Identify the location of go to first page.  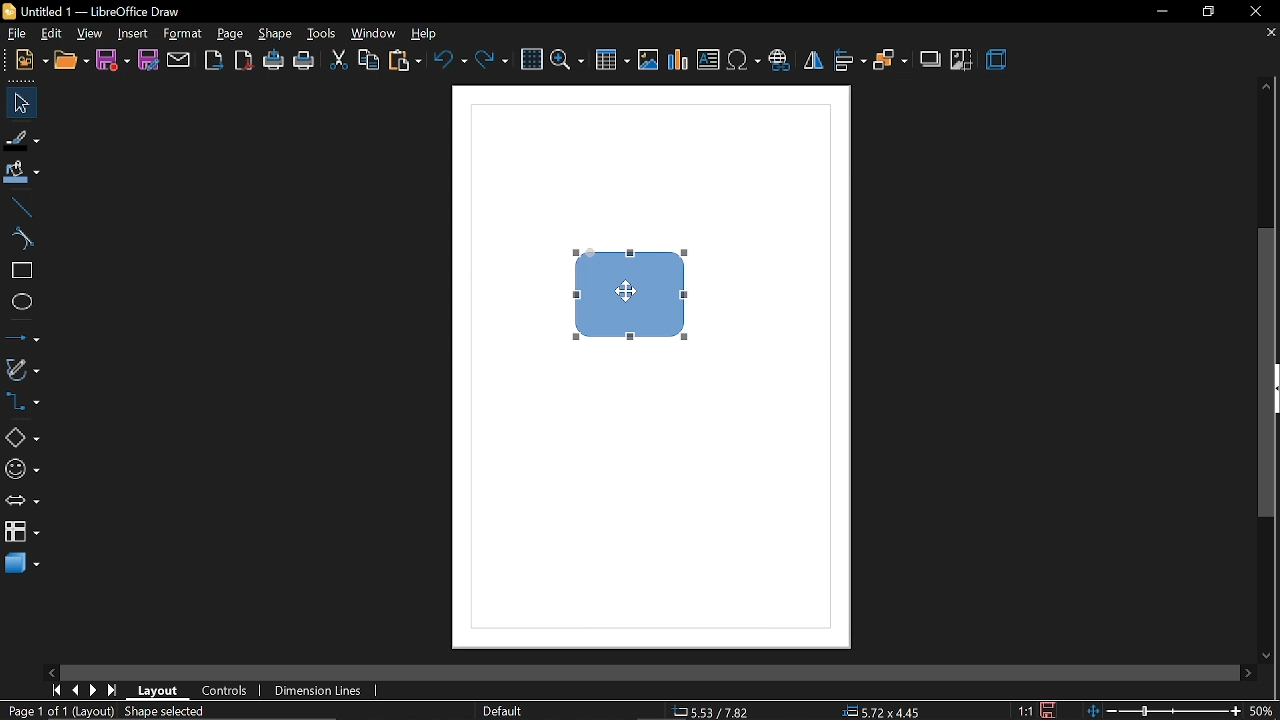
(54, 691).